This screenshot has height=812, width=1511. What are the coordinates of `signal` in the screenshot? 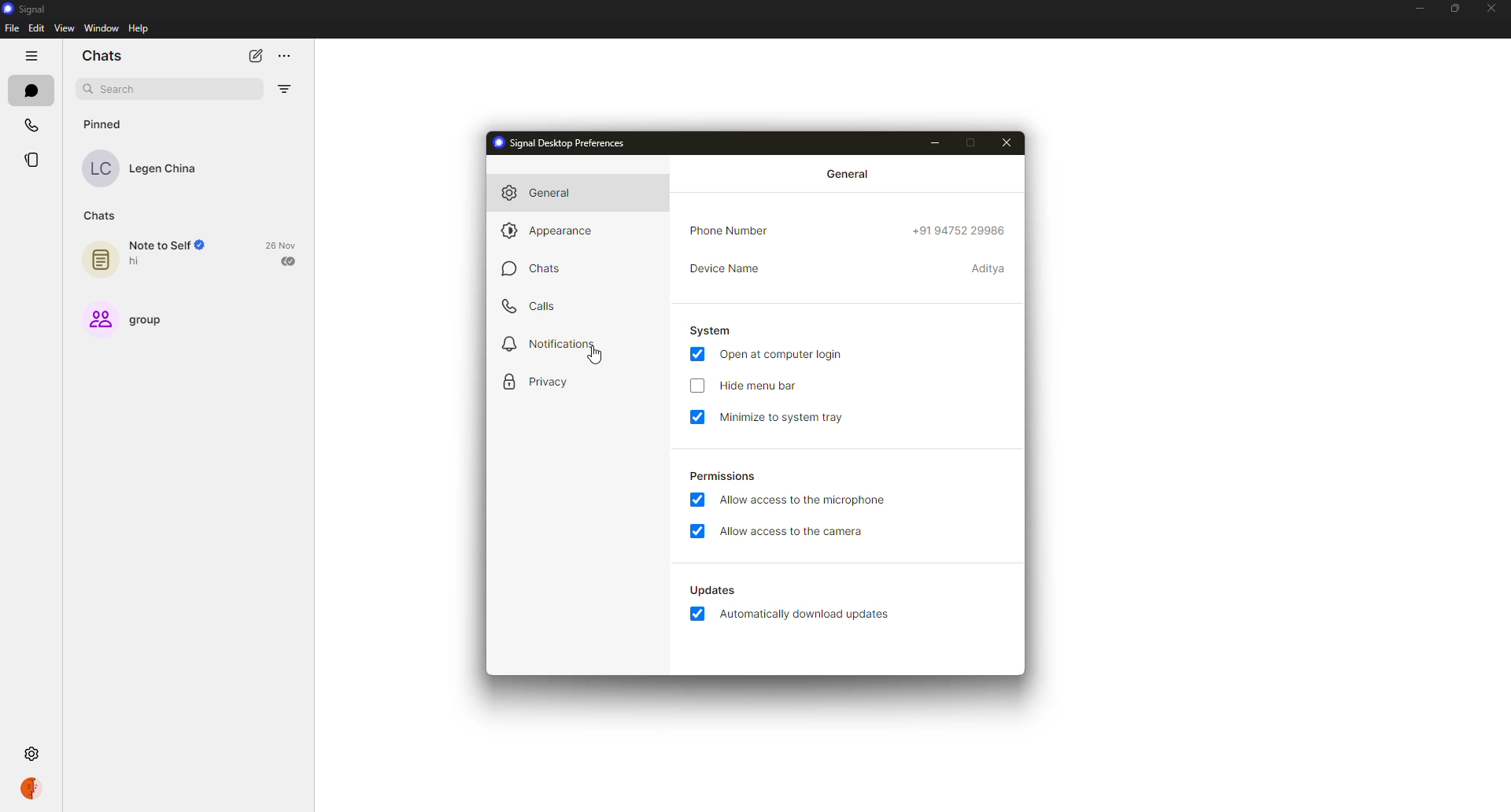 It's located at (21, 9).